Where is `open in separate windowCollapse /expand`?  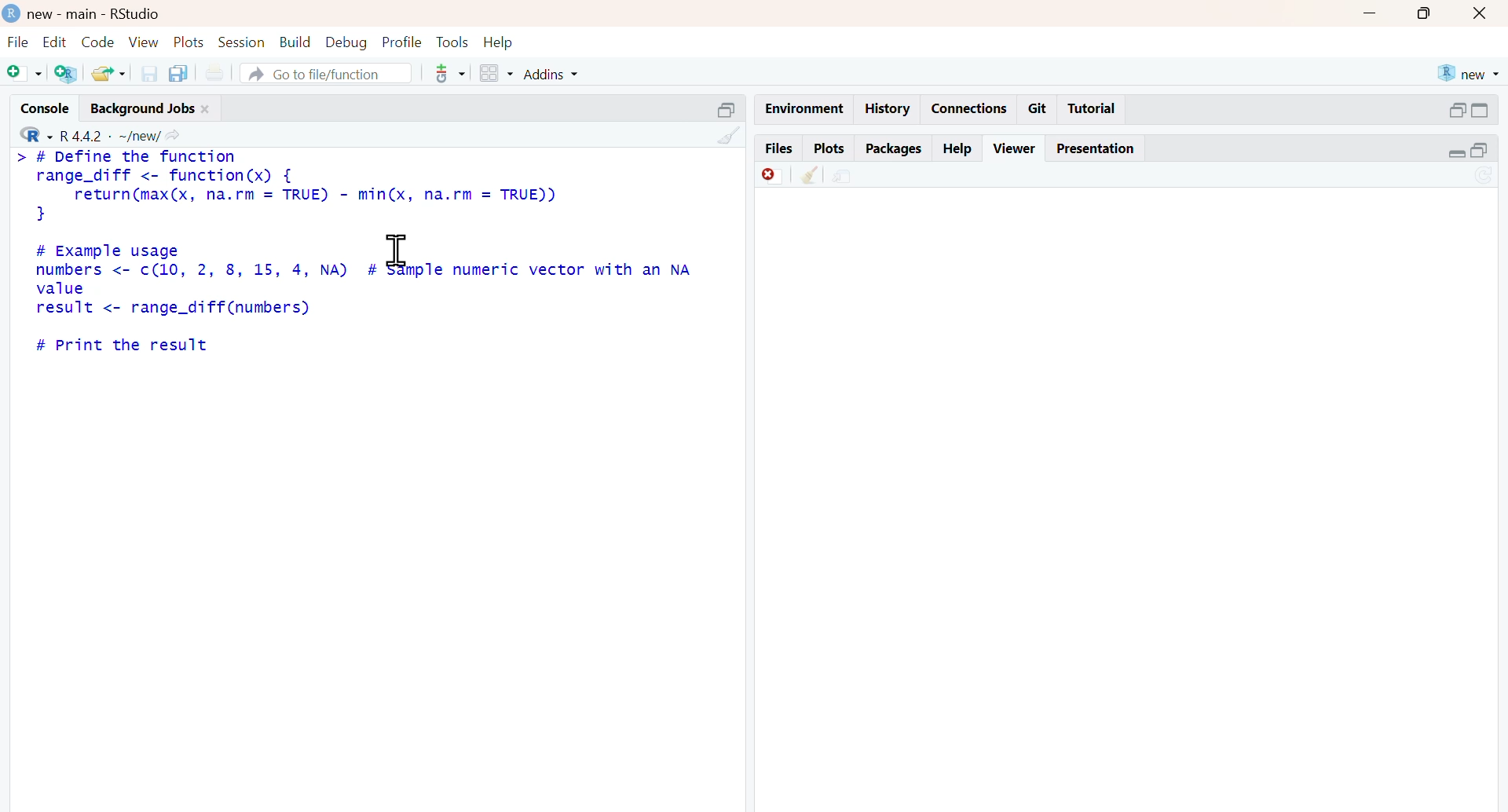 open in separate windowCollapse /expand is located at coordinates (1479, 110).